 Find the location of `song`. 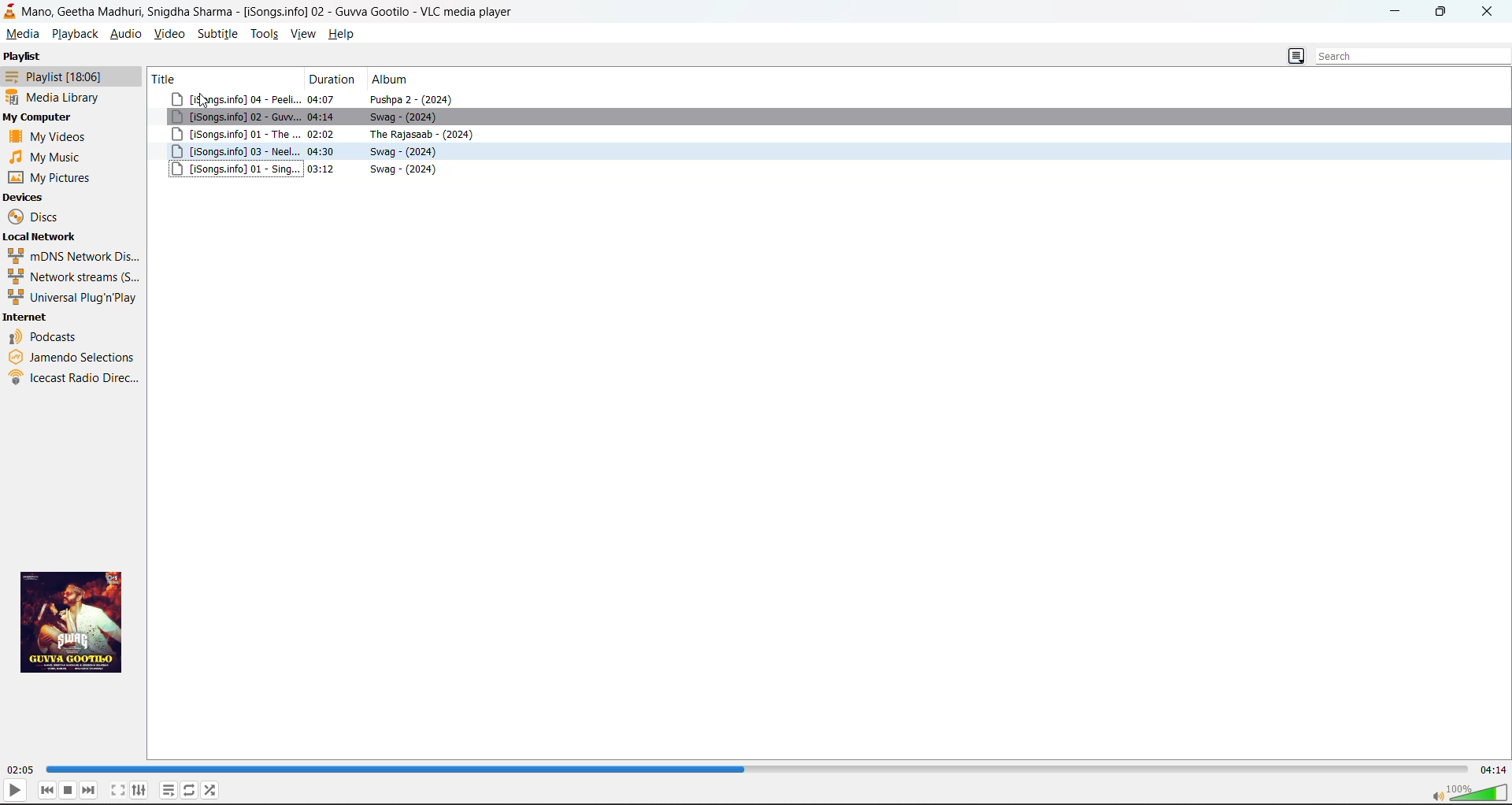

song is located at coordinates (831, 152).